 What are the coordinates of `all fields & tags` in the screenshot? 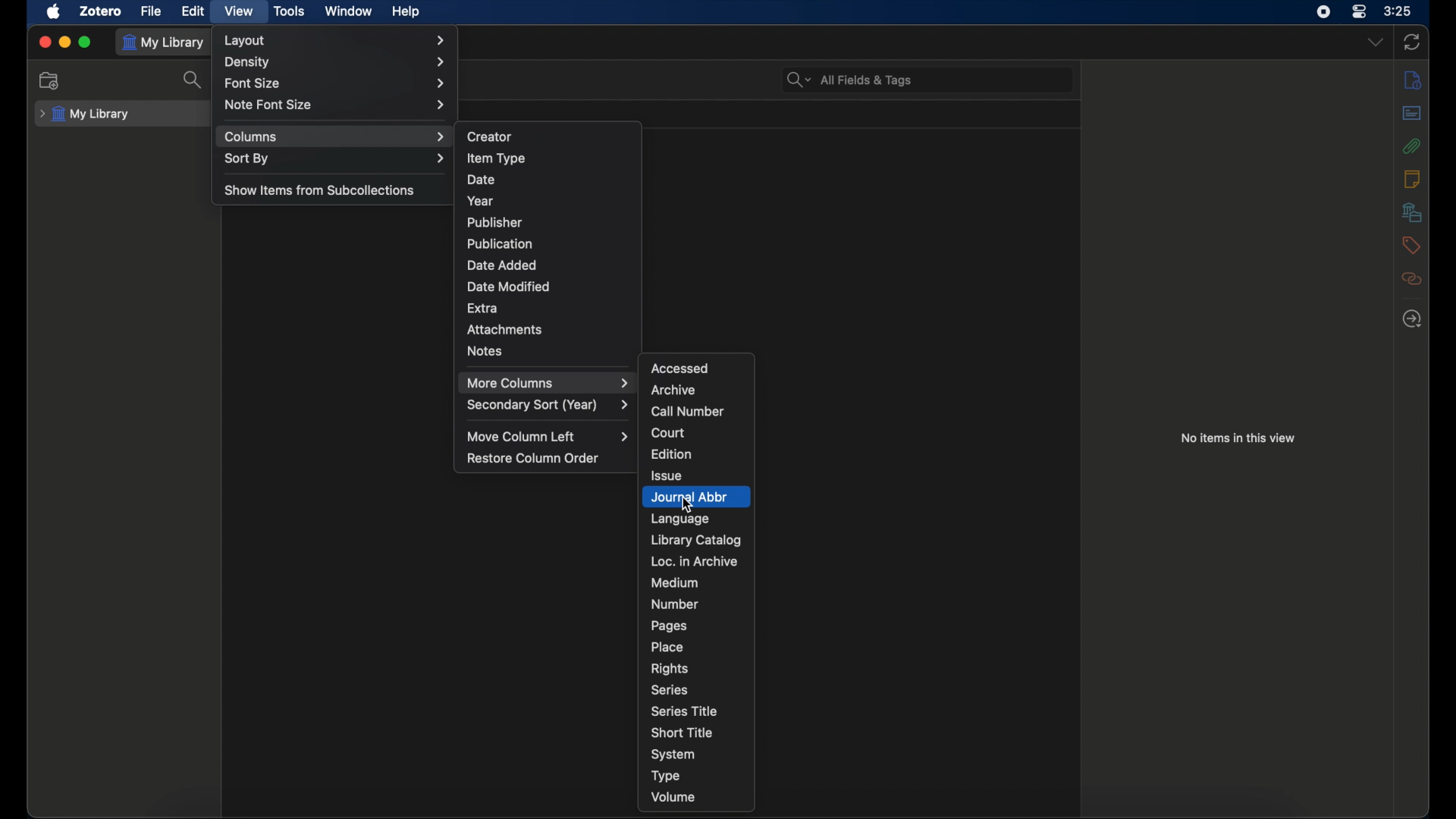 It's located at (849, 80).